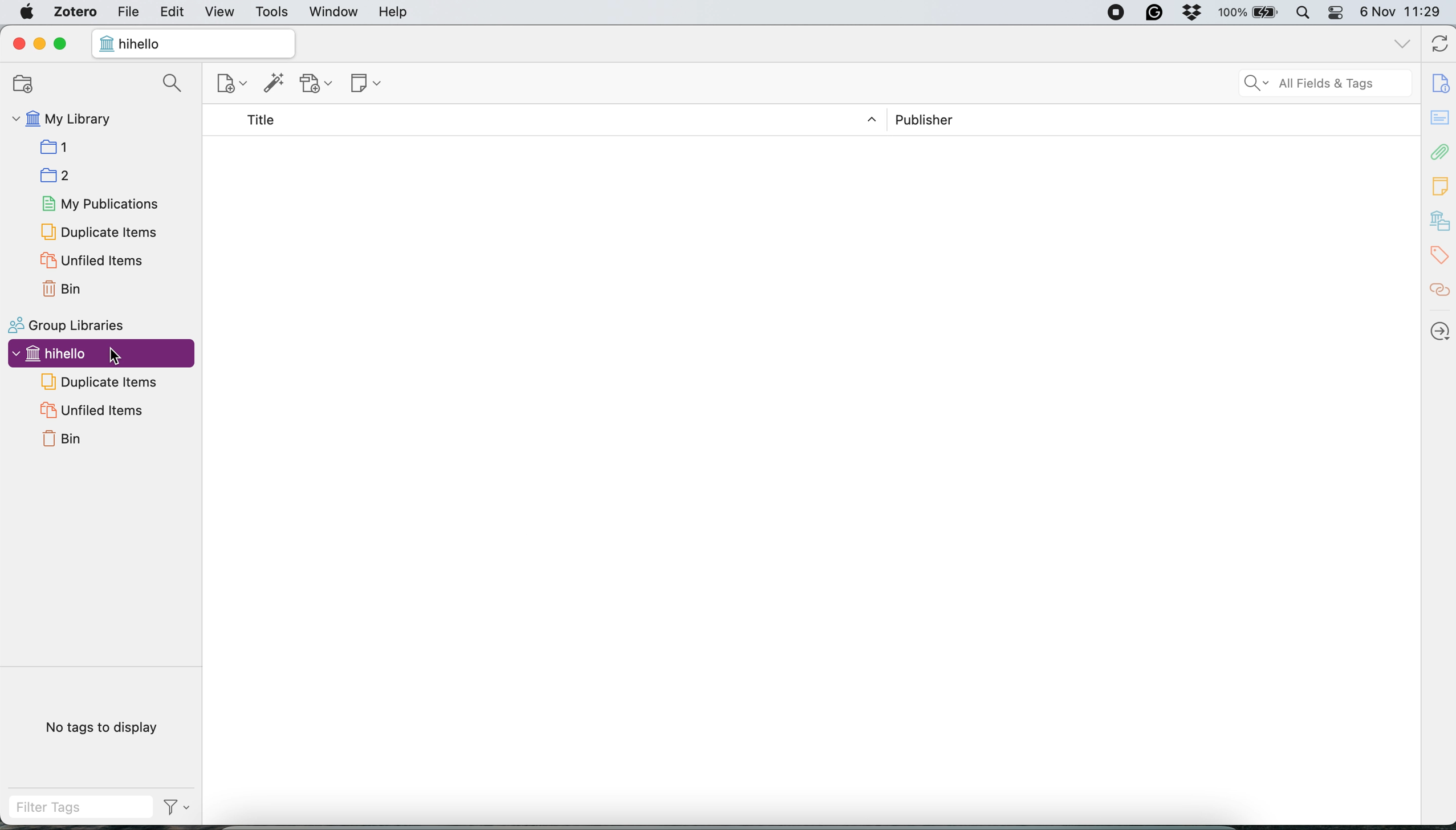 This screenshot has width=1456, height=830. What do you see at coordinates (1439, 118) in the screenshot?
I see `abstract` at bounding box center [1439, 118].